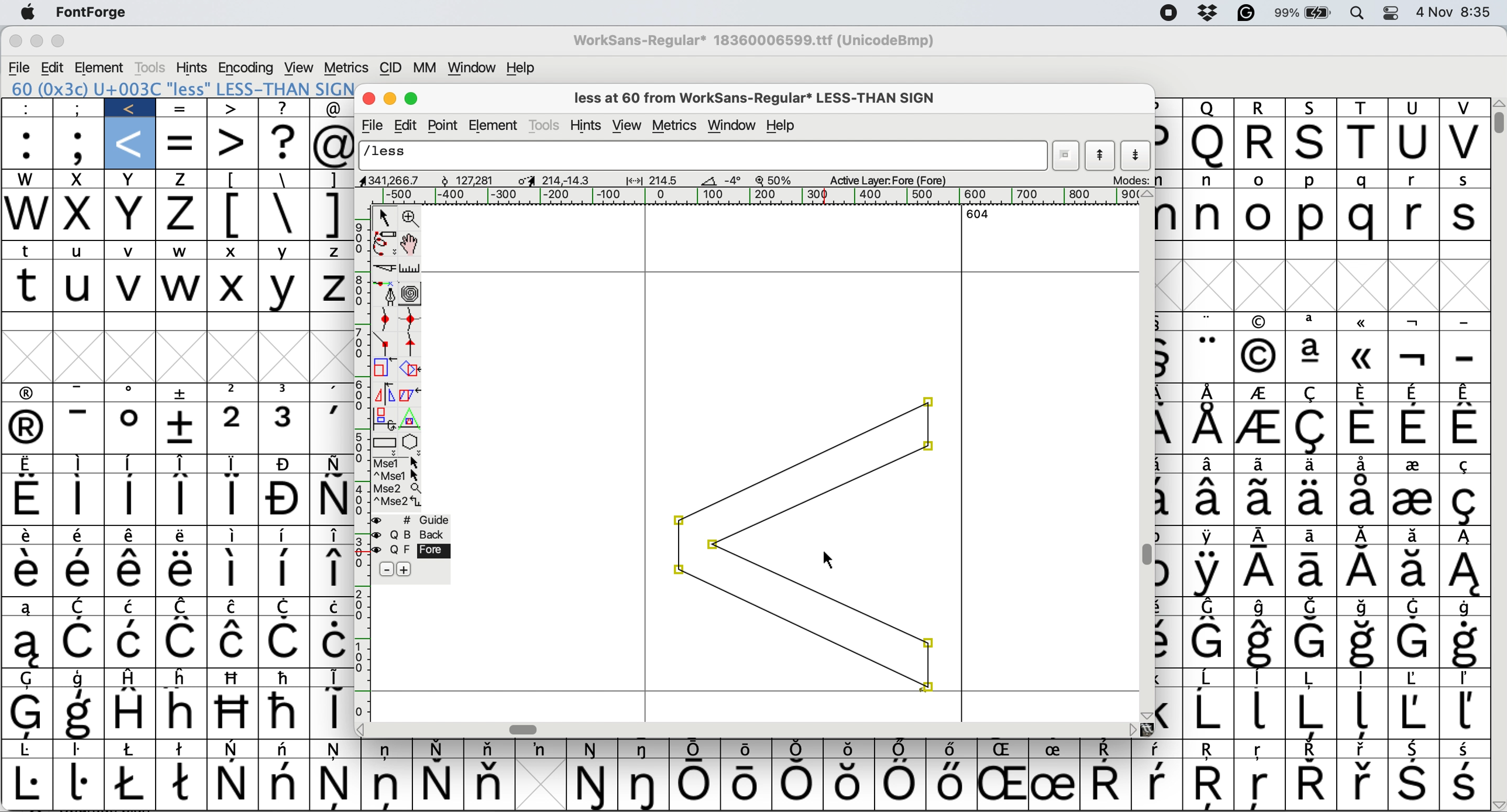 The width and height of the screenshot is (1507, 812). I want to click on Symbol, so click(330, 463).